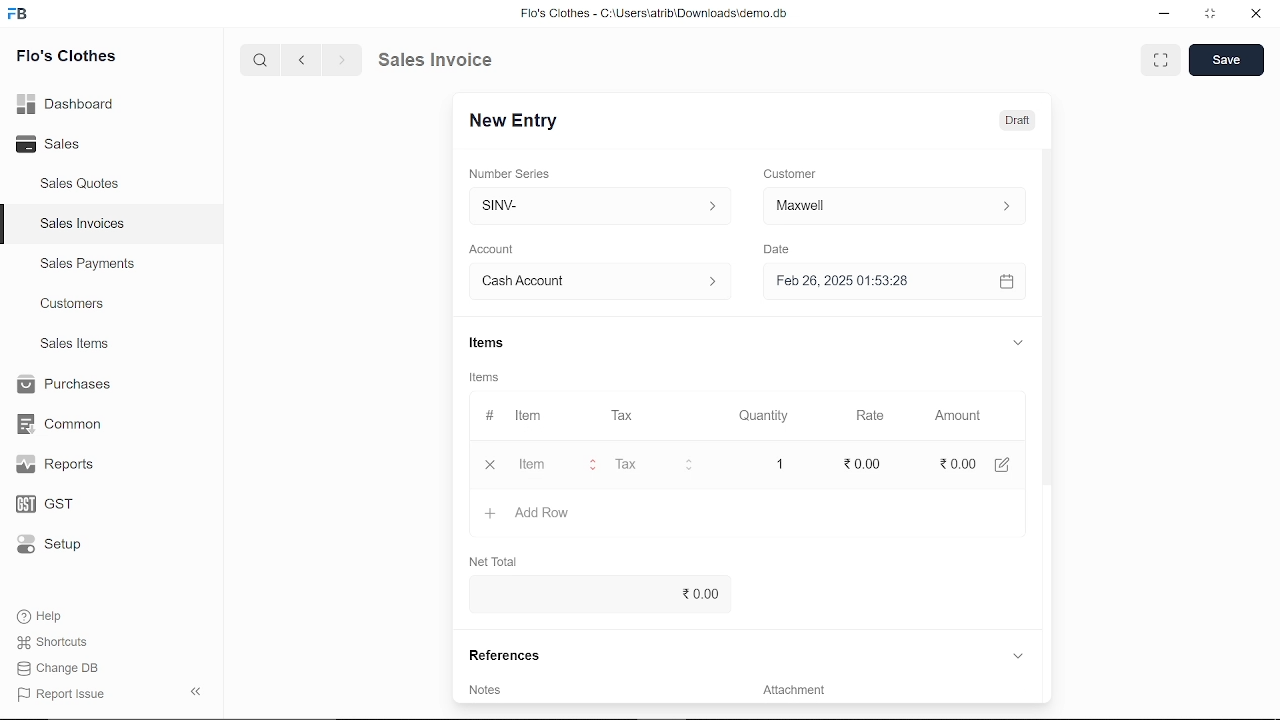 The image size is (1280, 720). Describe the element at coordinates (594, 595) in the screenshot. I see `0.00` at that location.